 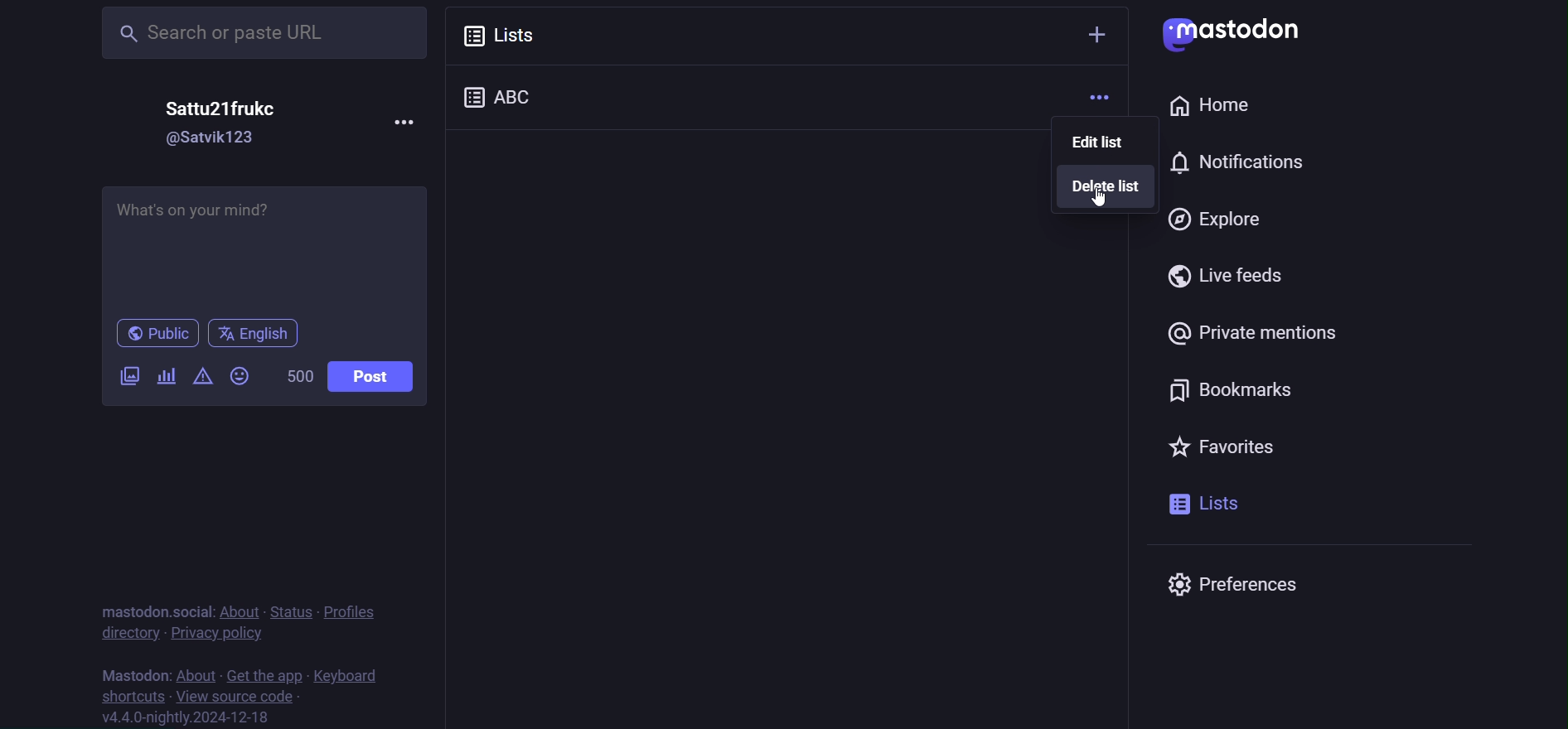 What do you see at coordinates (167, 375) in the screenshot?
I see `poll` at bounding box center [167, 375].